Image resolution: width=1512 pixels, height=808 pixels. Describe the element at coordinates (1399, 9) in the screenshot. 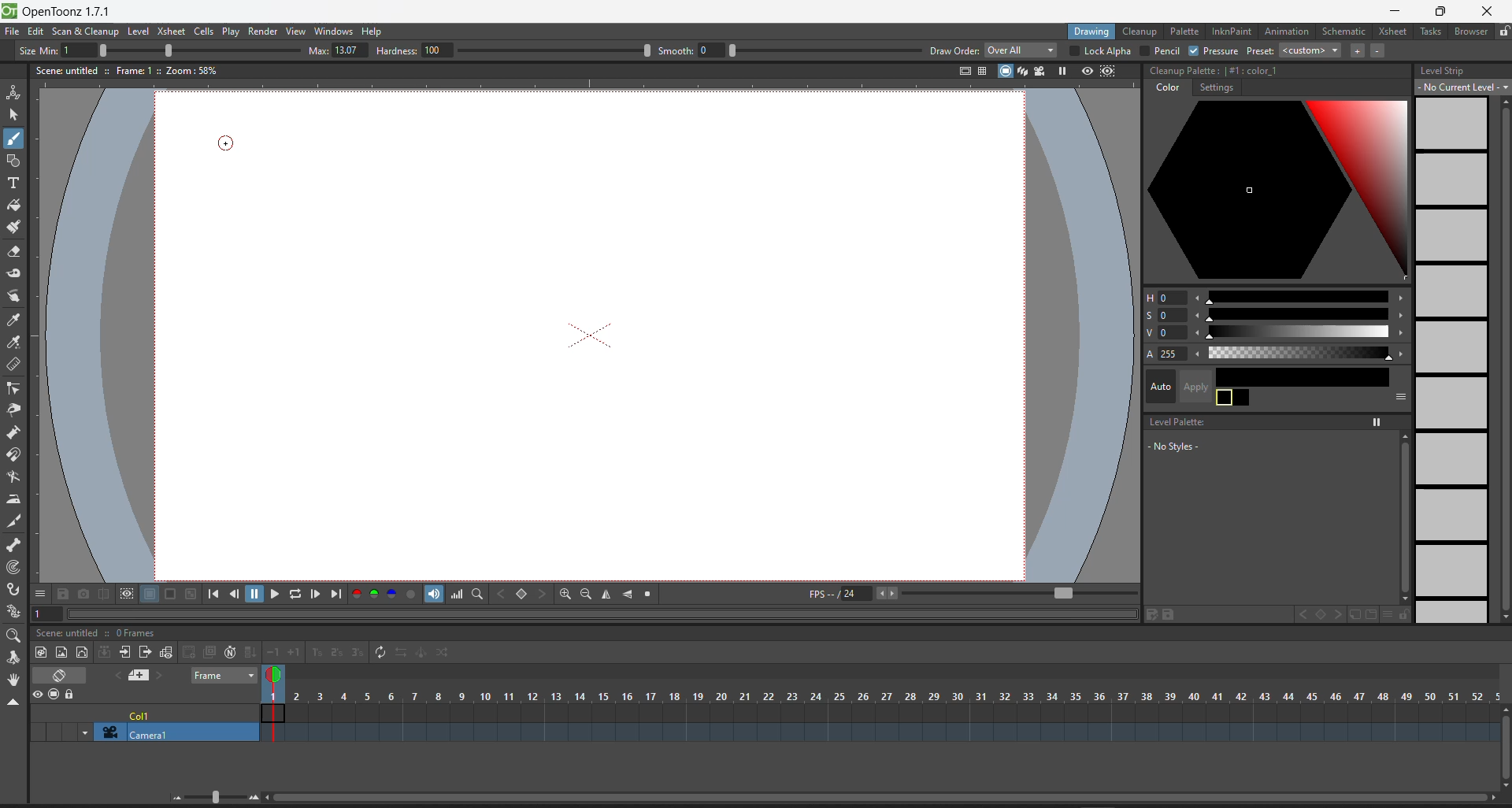

I see `minimize` at that location.